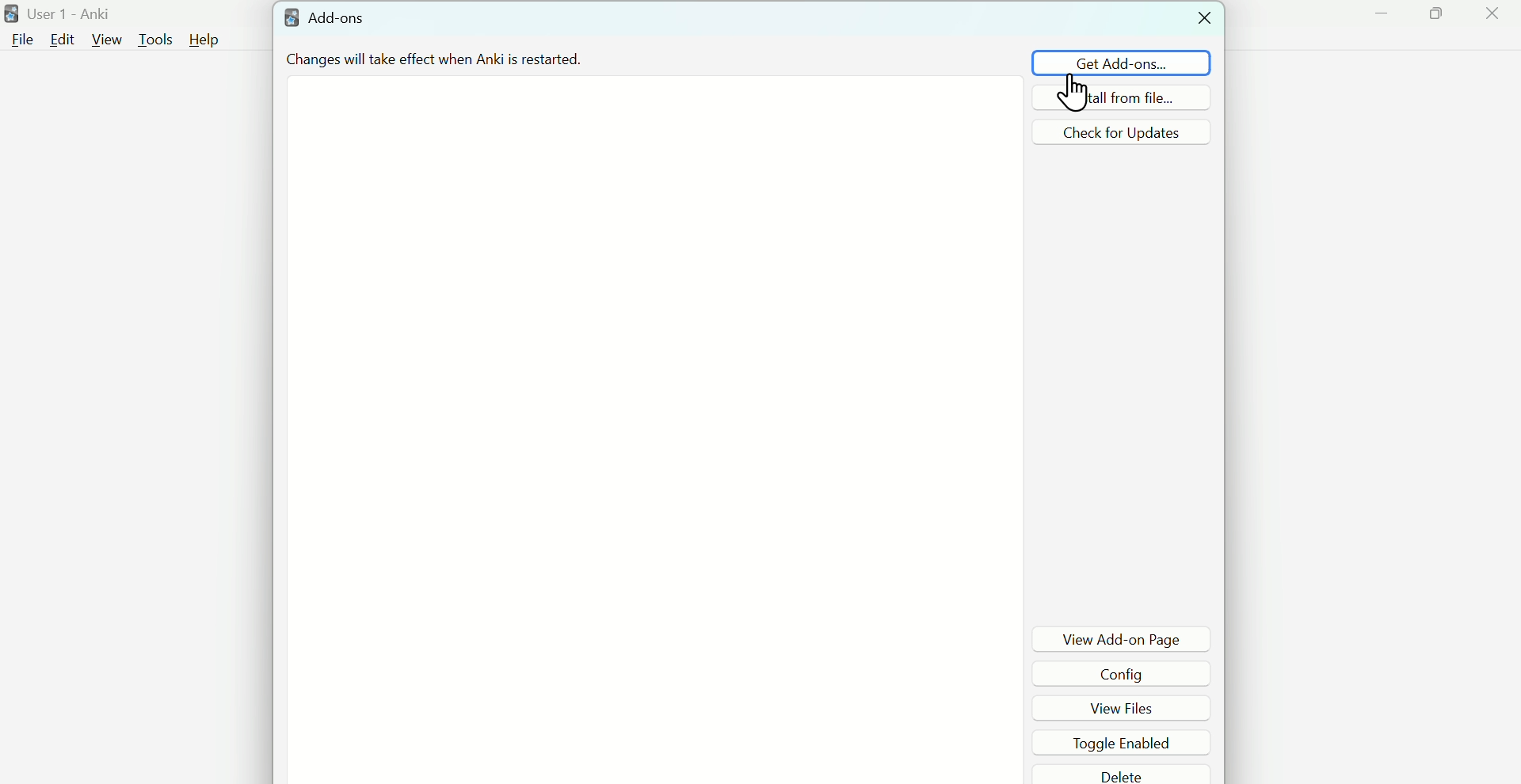  I want to click on Toggle enabled, so click(1125, 740).